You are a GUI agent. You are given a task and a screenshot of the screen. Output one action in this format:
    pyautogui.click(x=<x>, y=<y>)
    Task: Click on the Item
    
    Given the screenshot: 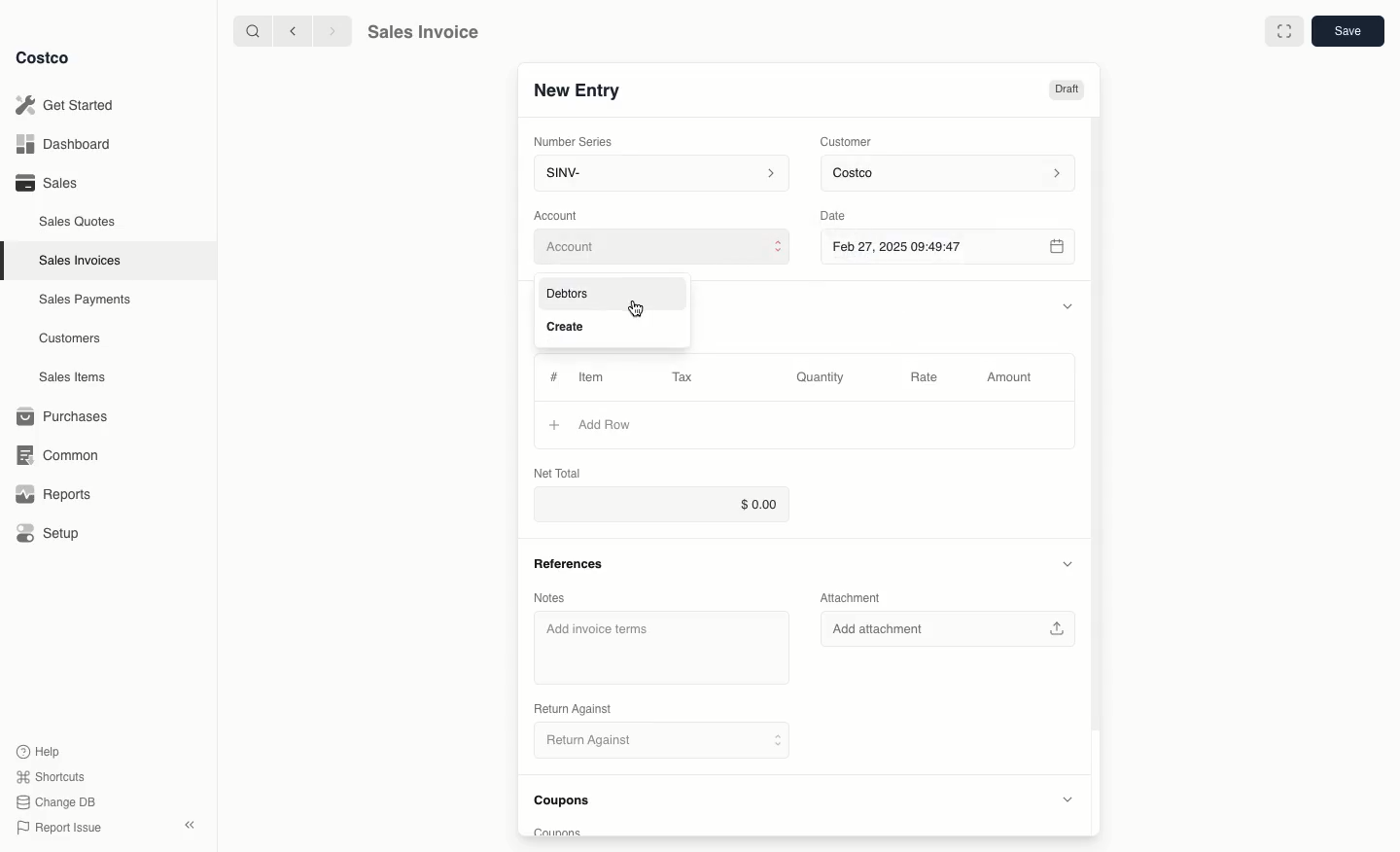 What is the action you would take?
    pyautogui.click(x=593, y=376)
    